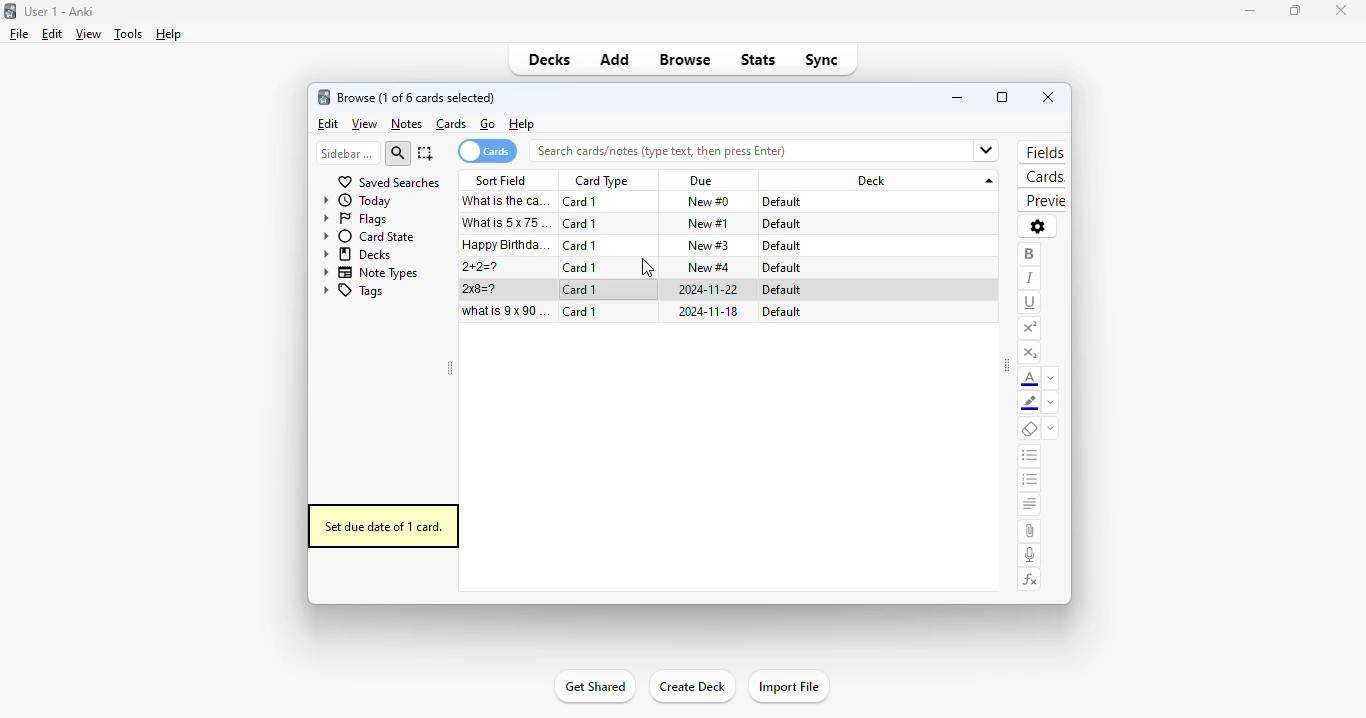 Image resolution: width=1366 pixels, height=718 pixels. Describe the element at coordinates (1042, 178) in the screenshot. I see `cards` at that location.